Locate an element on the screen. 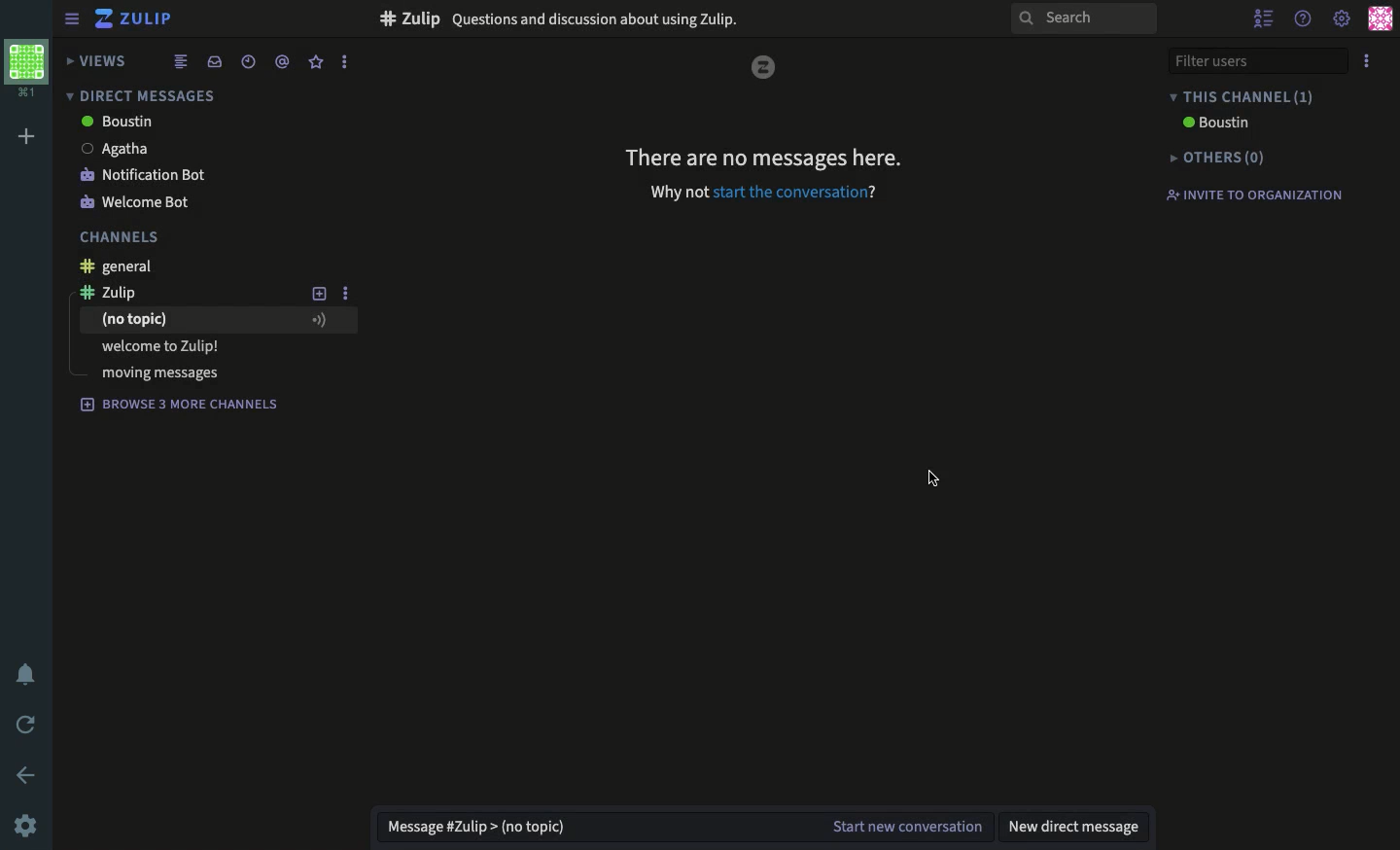  channels is located at coordinates (122, 239).